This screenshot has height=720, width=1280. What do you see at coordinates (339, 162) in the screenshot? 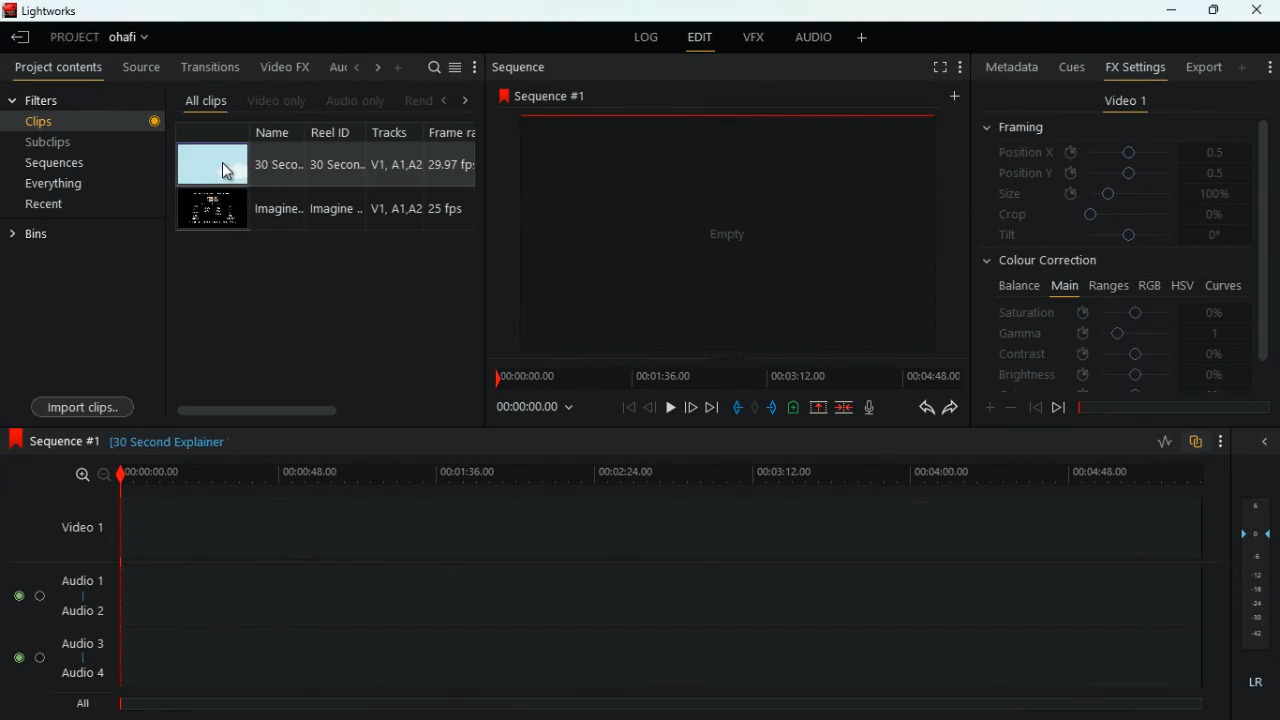
I see `30 Secon..` at bounding box center [339, 162].